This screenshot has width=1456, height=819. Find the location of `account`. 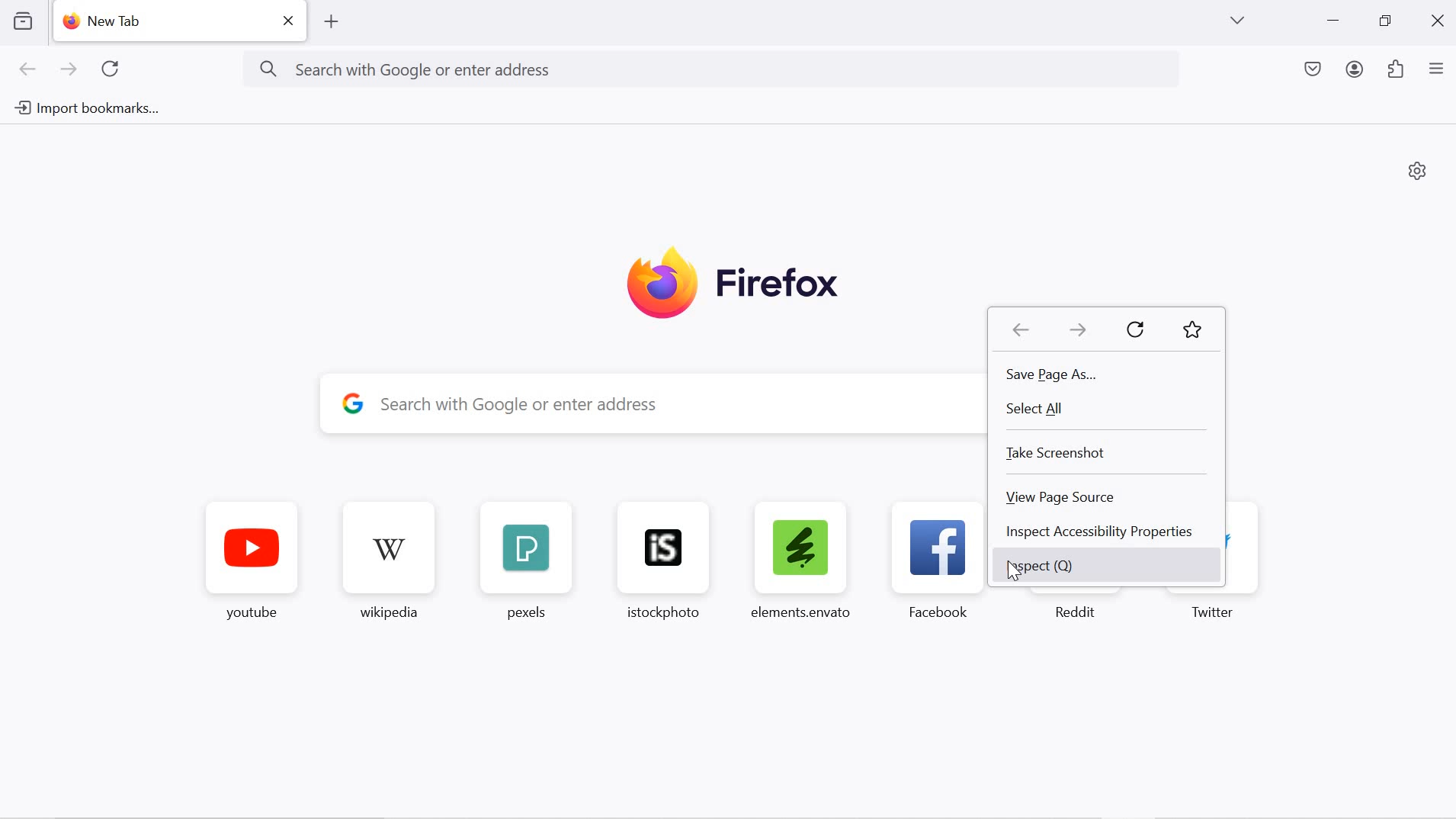

account is located at coordinates (1356, 68).